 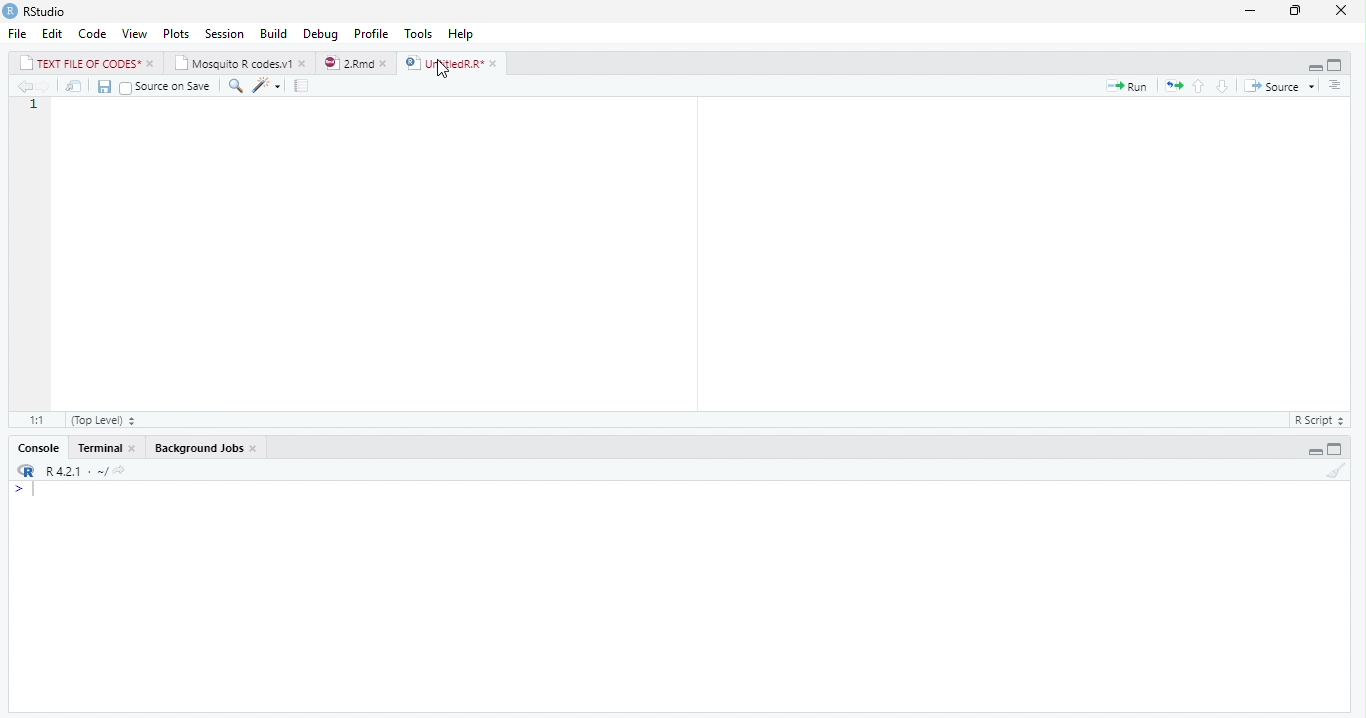 I want to click on R Script, so click(x=1320, y=419).